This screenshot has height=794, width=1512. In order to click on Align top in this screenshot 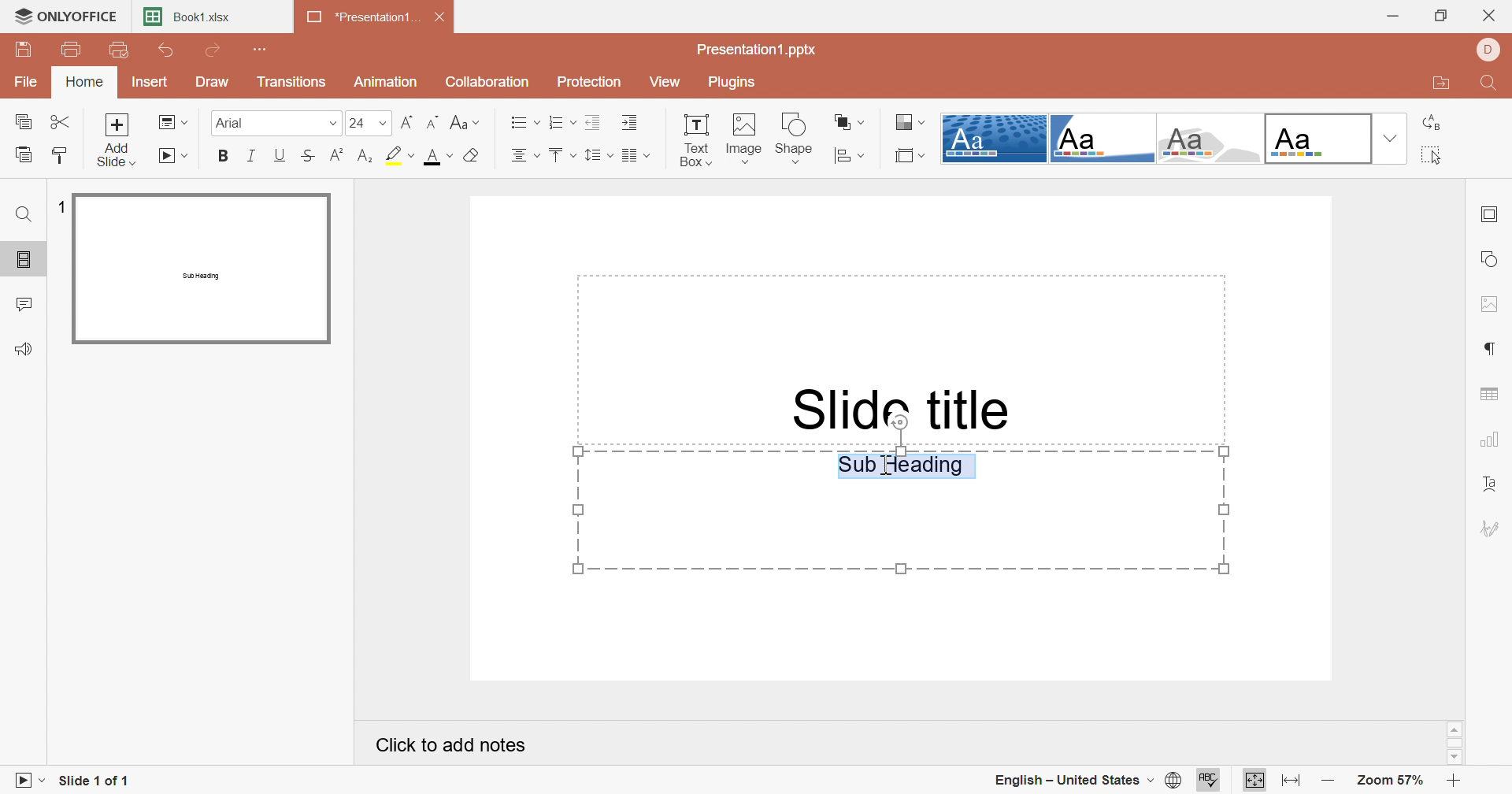, I will do `click(561, 153)`.